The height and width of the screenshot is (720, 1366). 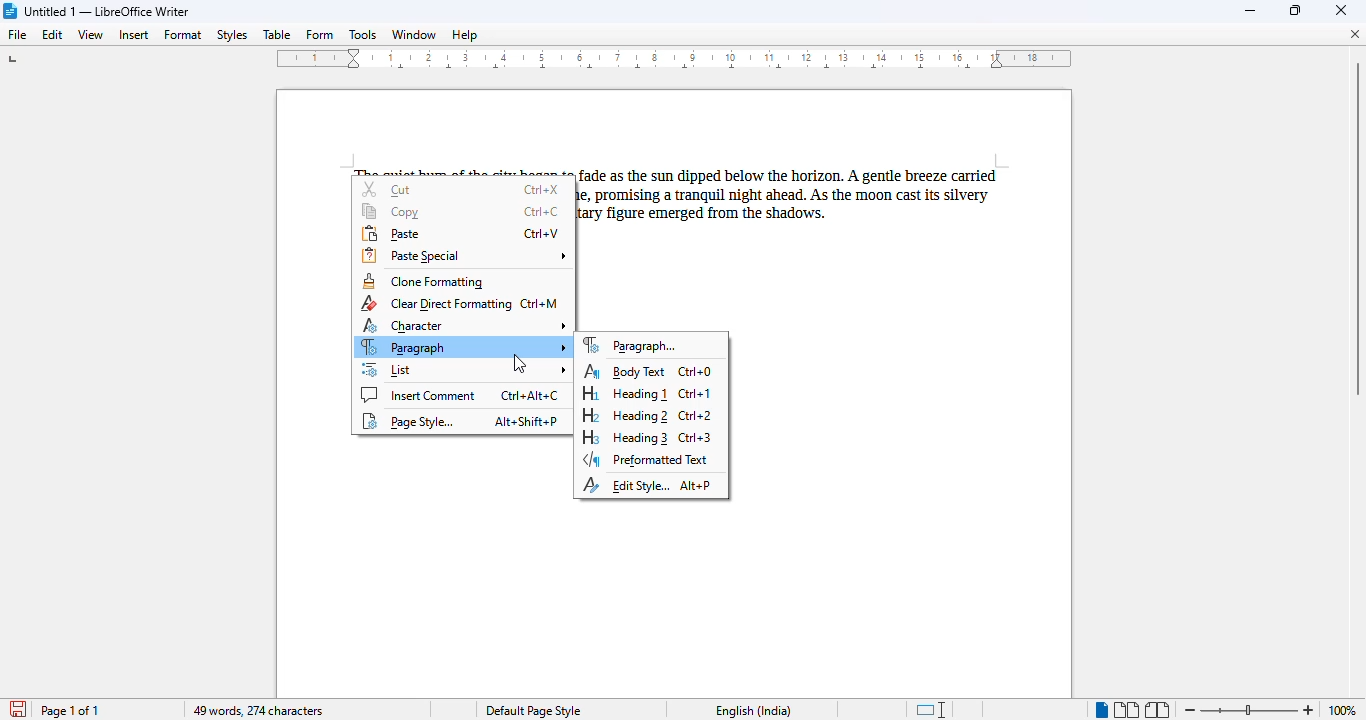 I want to click on logo, so click(x=10, y=11).